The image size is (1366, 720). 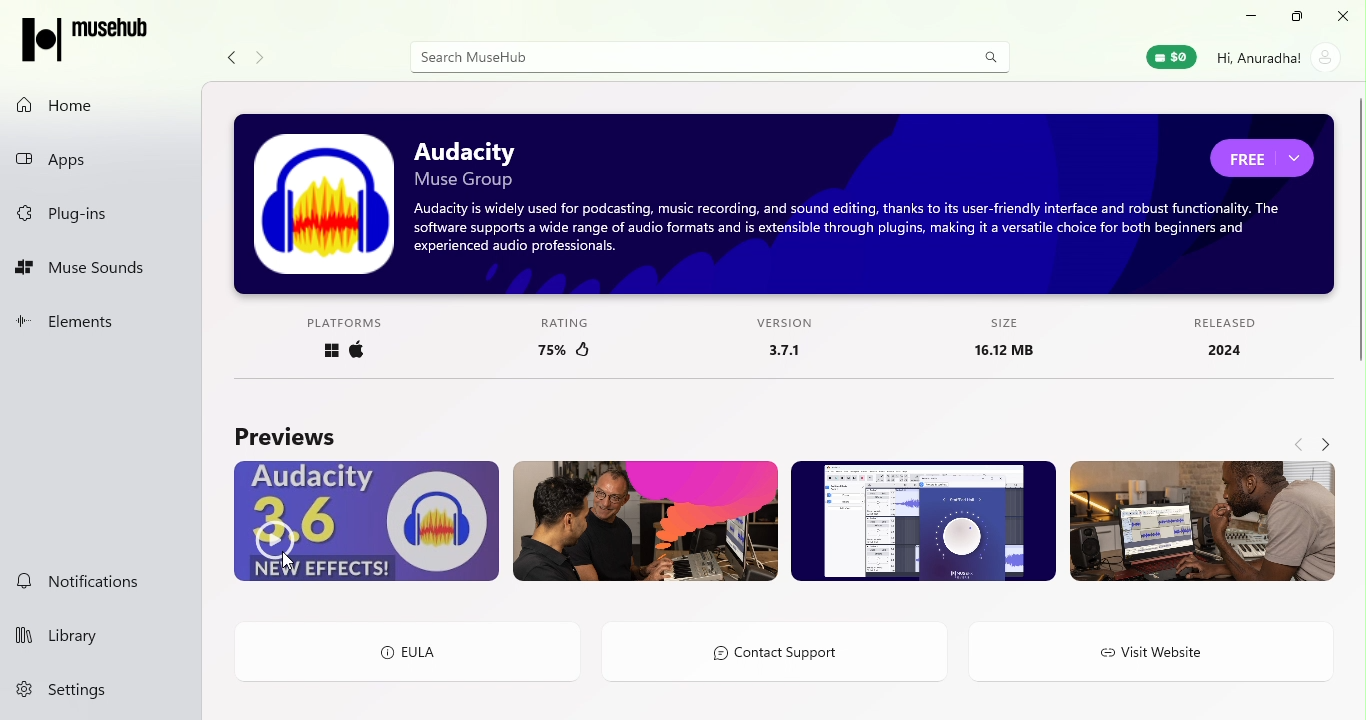 I want to click on Plug-ins, so click(x=100, y=214).